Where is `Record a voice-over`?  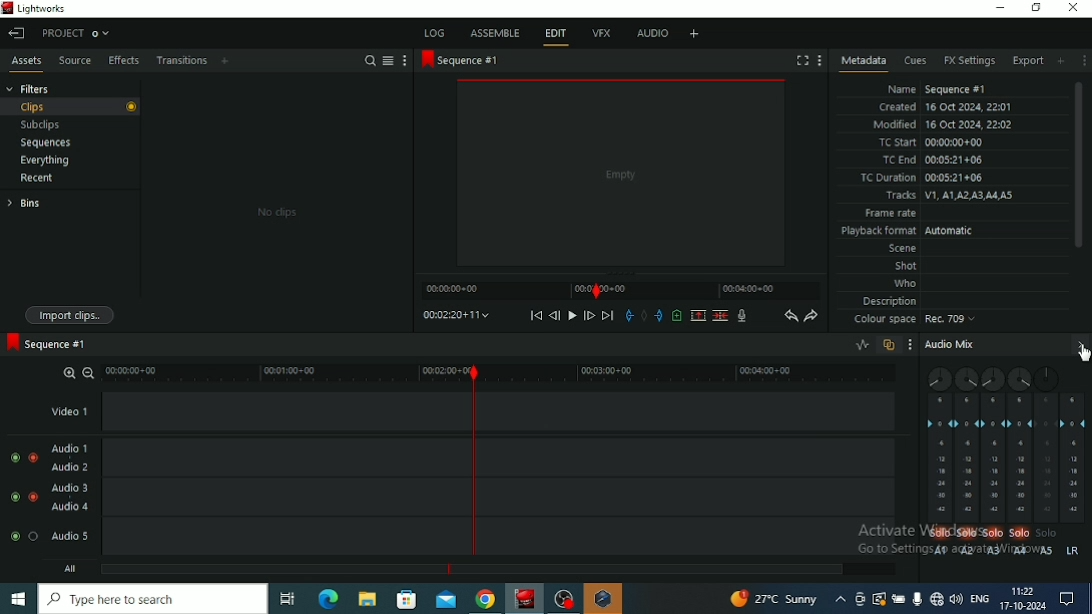
Record a voice-over is located at coordinates (742, 316).